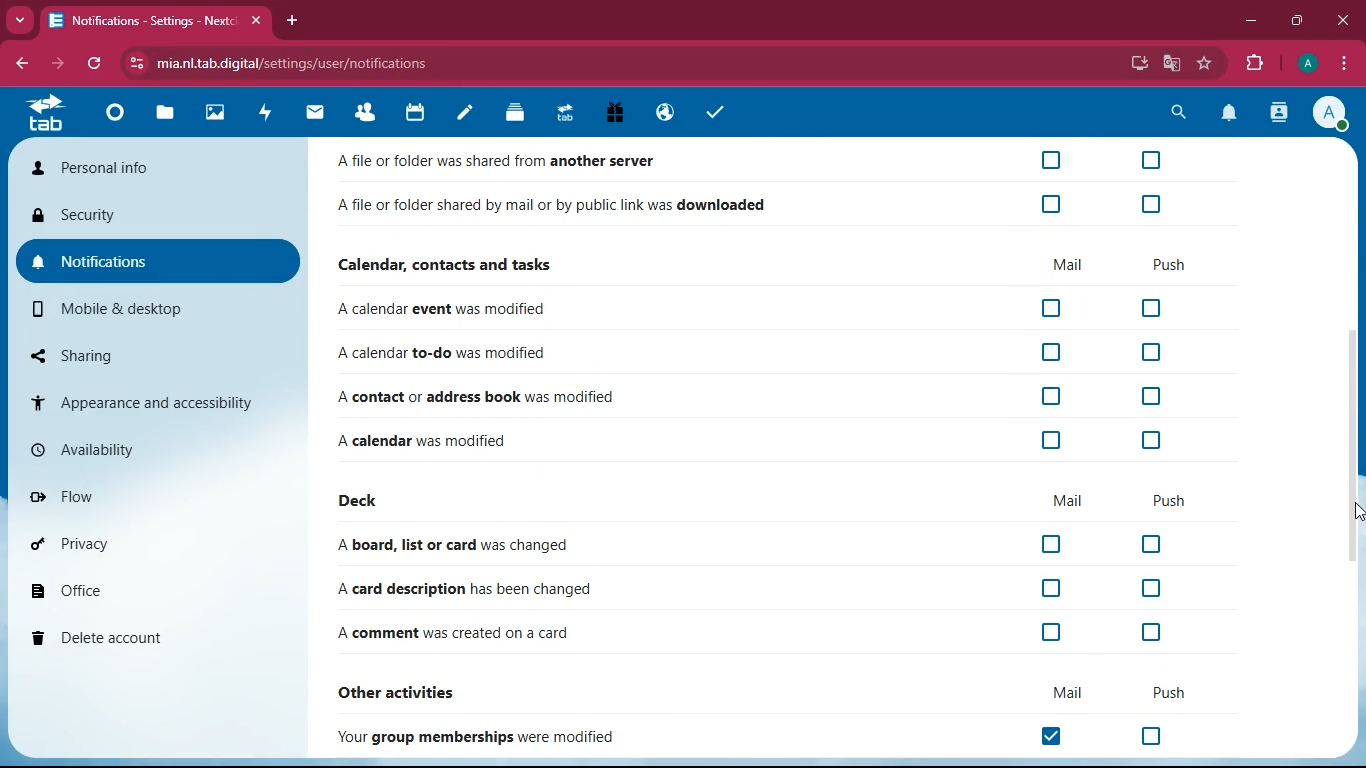 The height and width of the screenshot is (768, 1366). Describe the element at coordinates (19, 63) in the screenshot. I see `back` at that location.